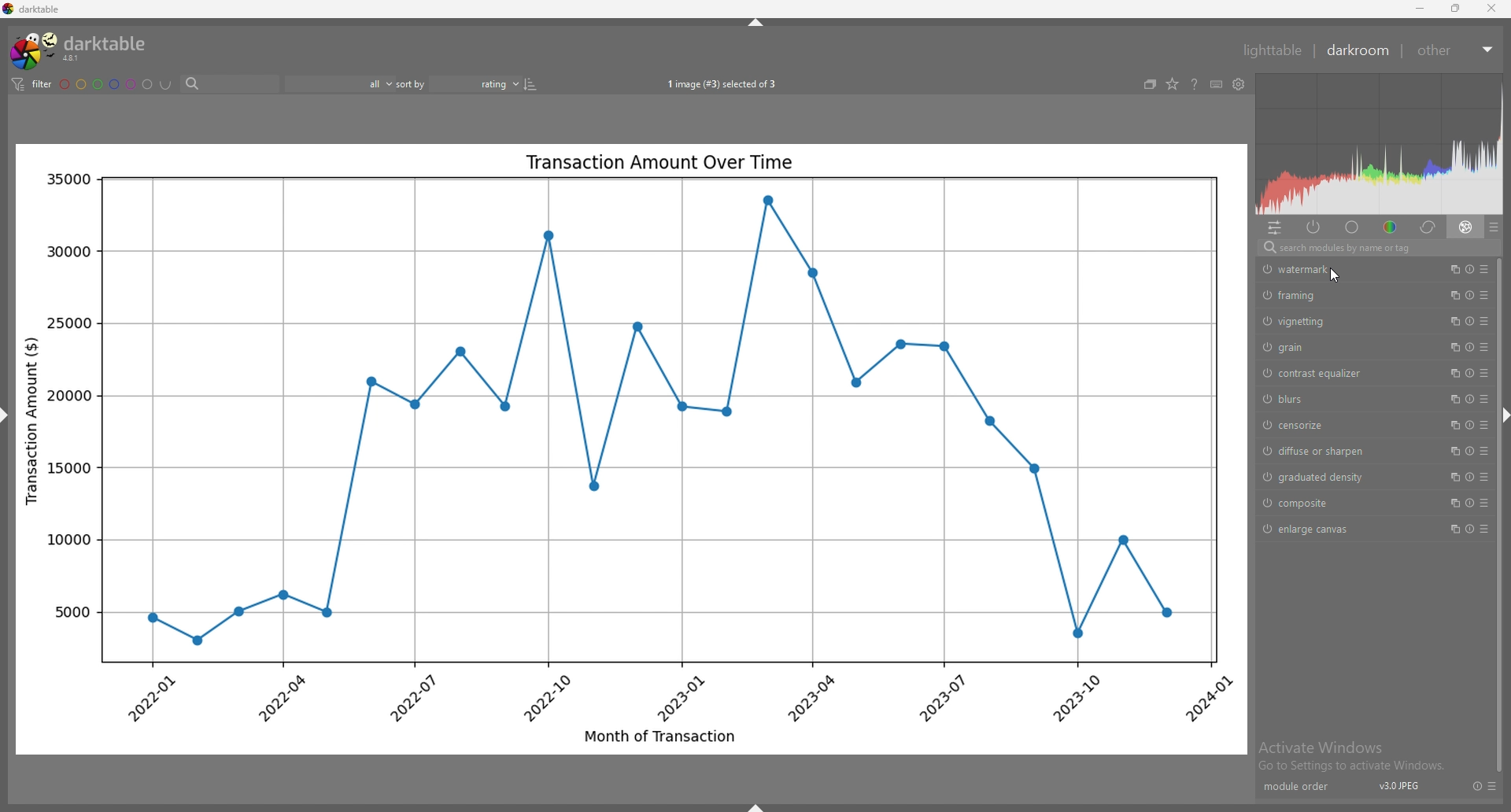 This screenshot has height=812, width=1511. What do you see at coordinates (1339, 398) in the screenshot?
I see `blurs` at bounding box center [1339, 398].